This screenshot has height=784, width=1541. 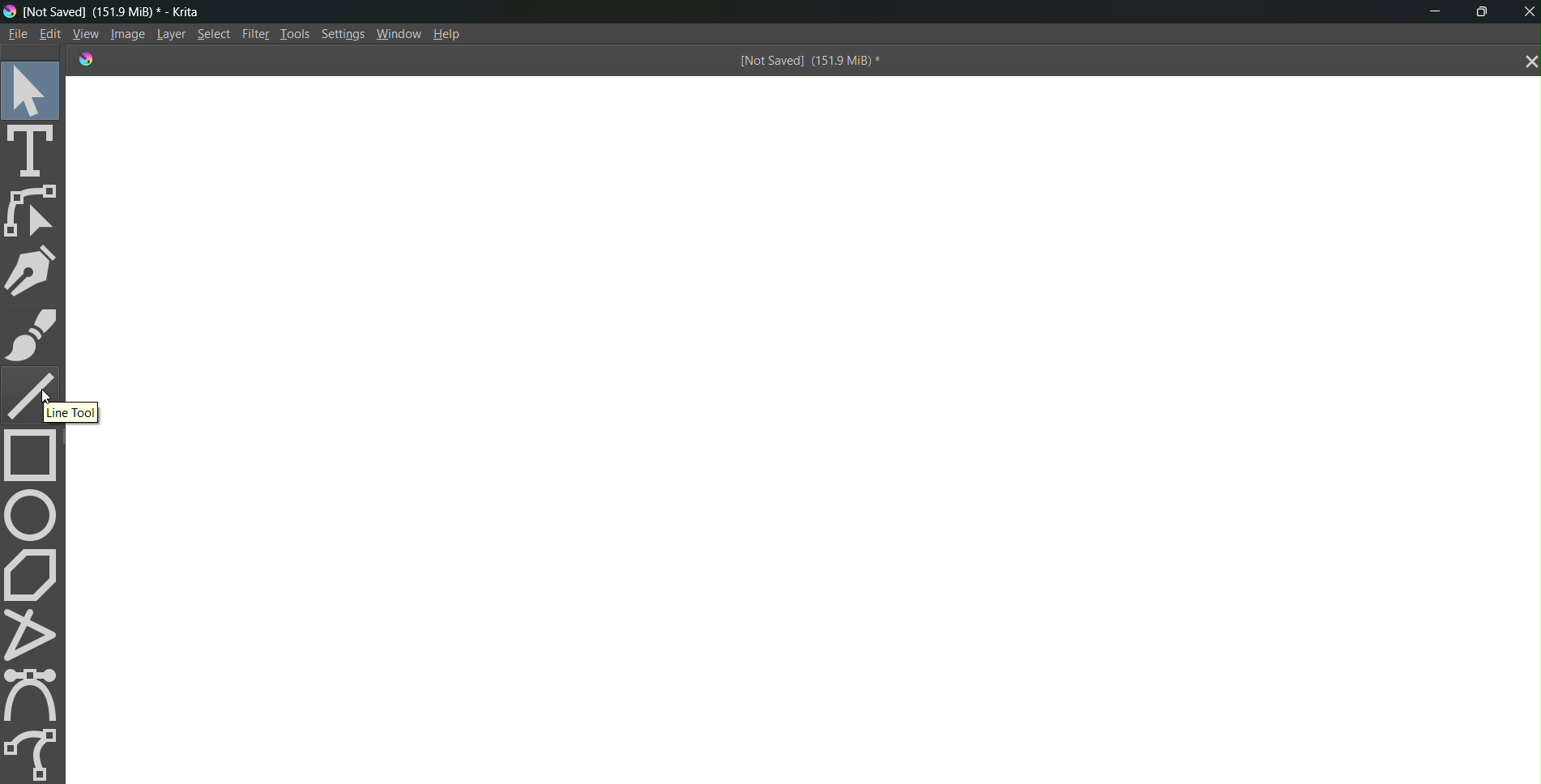 I want to click on Filte, so click(x=252, y=32).